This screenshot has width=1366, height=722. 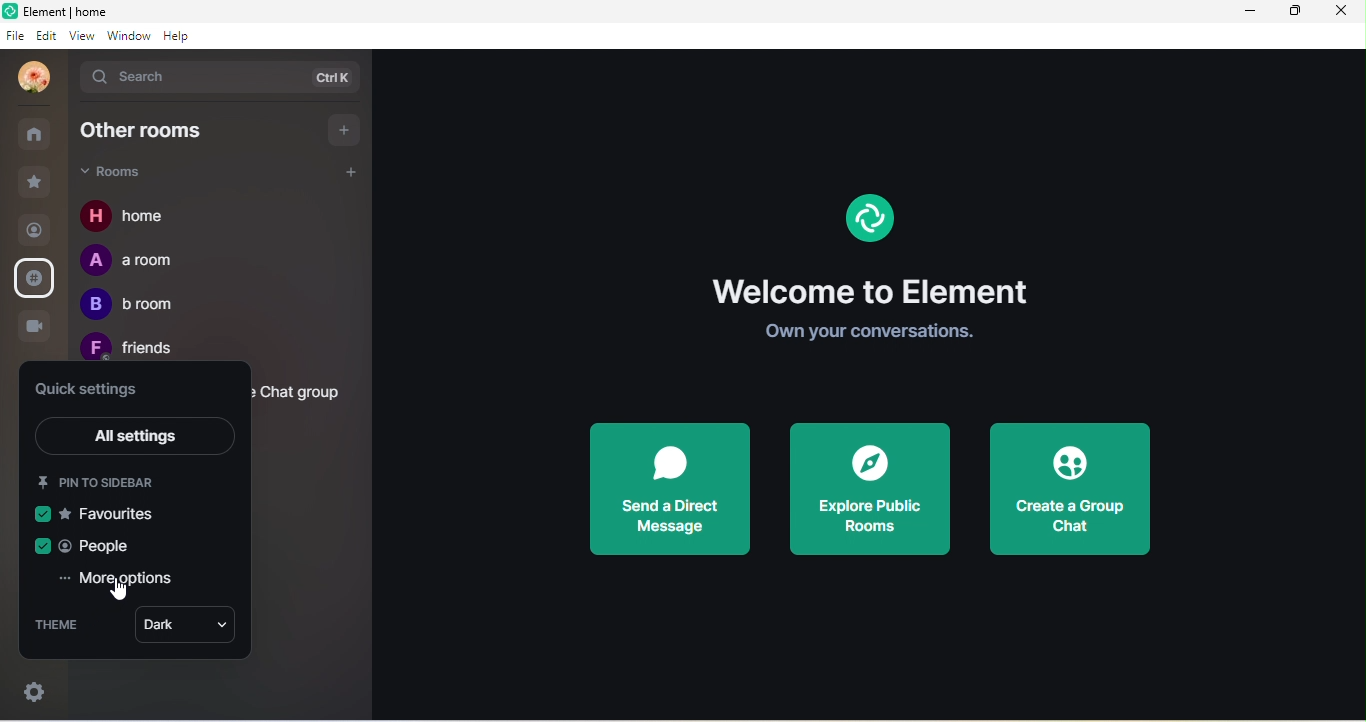 I want to click on people, so click(x=34, y=232).